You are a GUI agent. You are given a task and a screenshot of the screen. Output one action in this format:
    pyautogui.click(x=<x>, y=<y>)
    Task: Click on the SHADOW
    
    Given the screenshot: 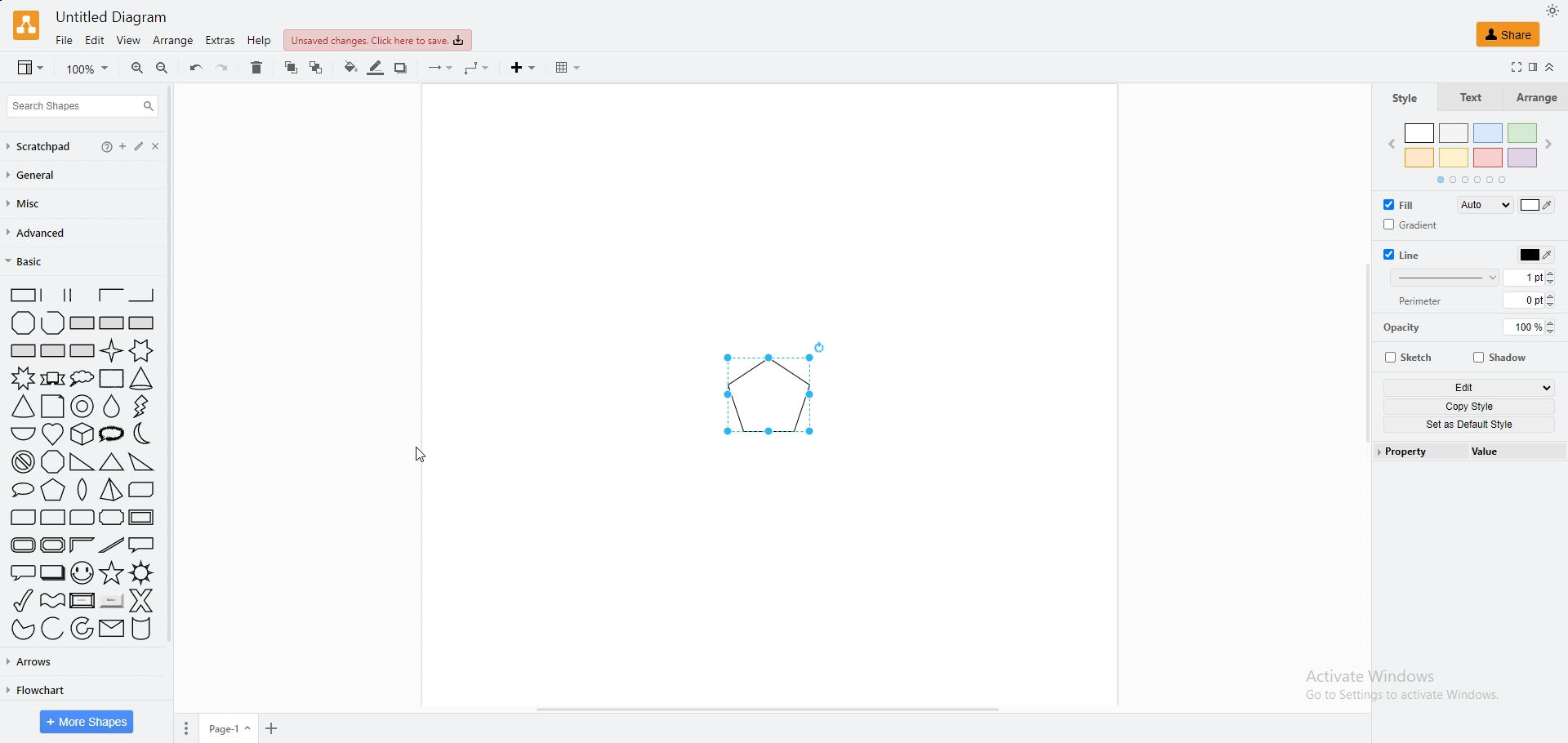 What is the action you would take?
    pyautogui.click(x=403, y=69)
    